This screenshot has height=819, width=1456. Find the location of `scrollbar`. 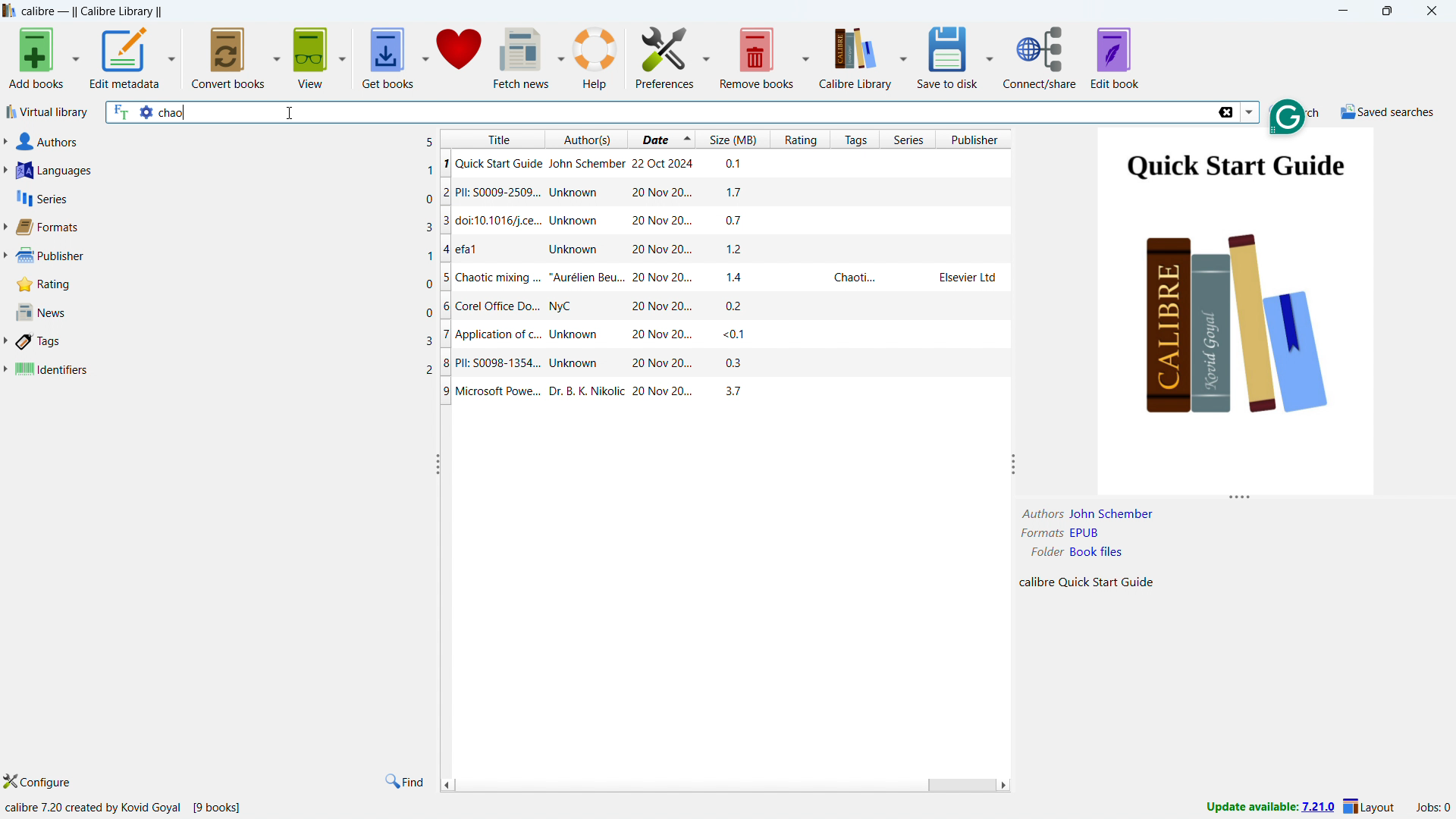

scrollbar is located at coordinates (962, 784).